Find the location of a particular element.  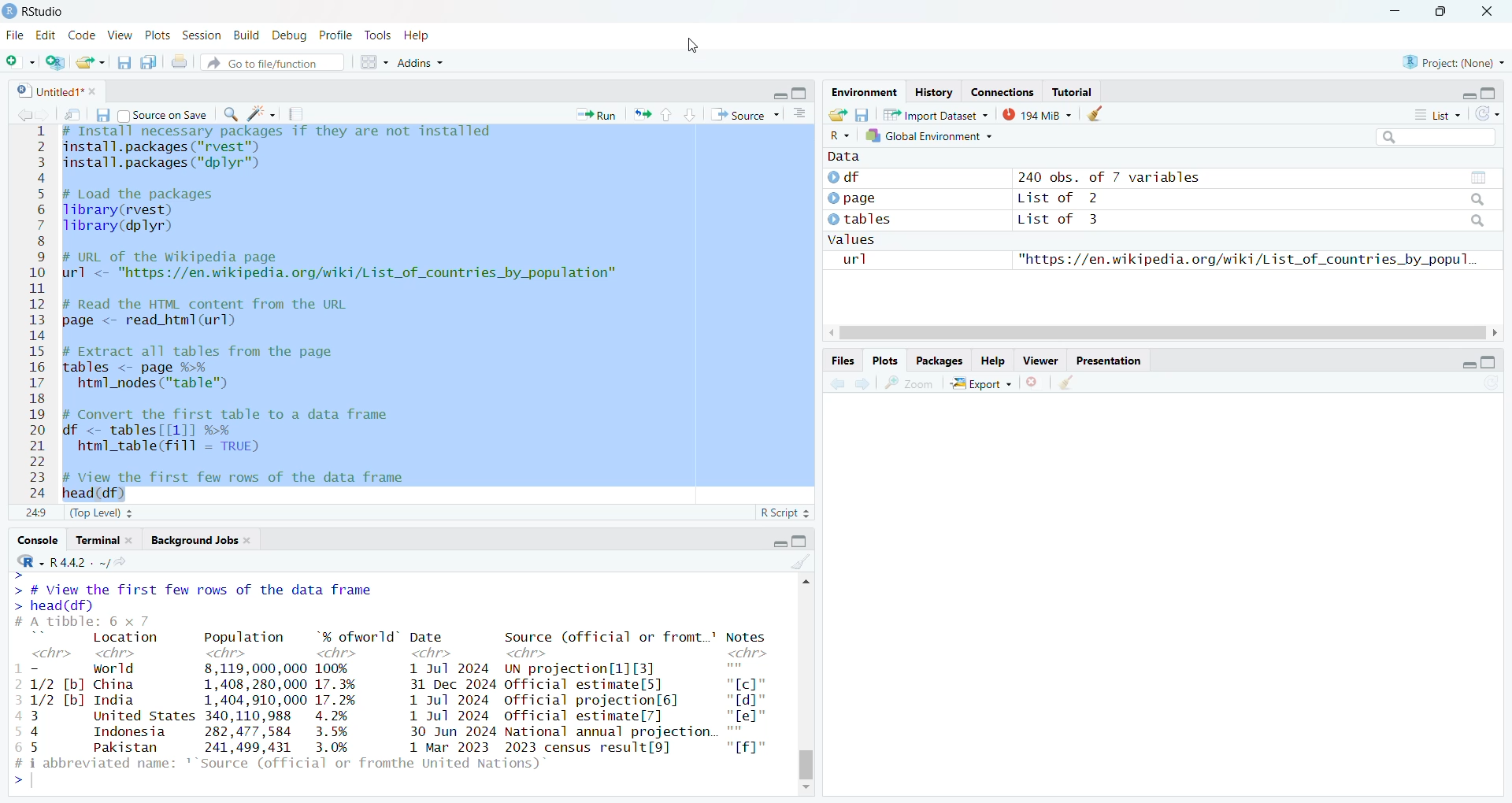

logo is located at coordinates (9, 12).